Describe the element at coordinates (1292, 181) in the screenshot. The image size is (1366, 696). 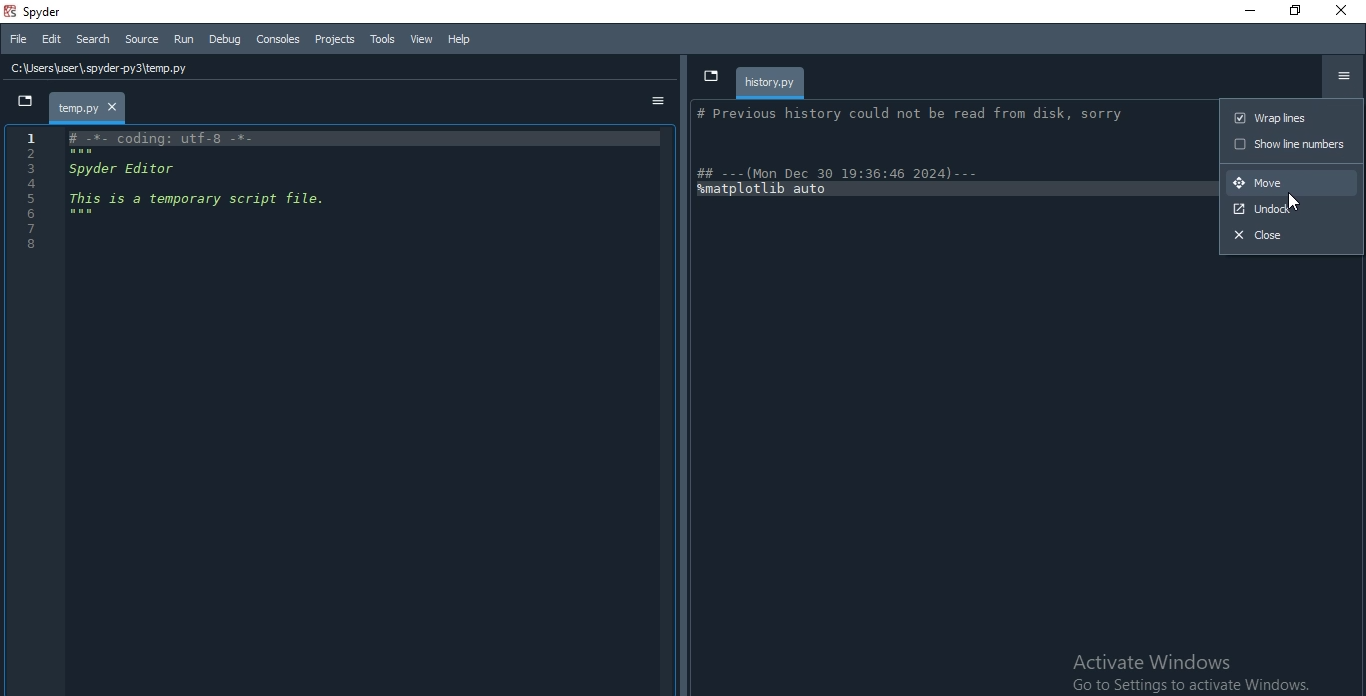
I see `move` at that location.